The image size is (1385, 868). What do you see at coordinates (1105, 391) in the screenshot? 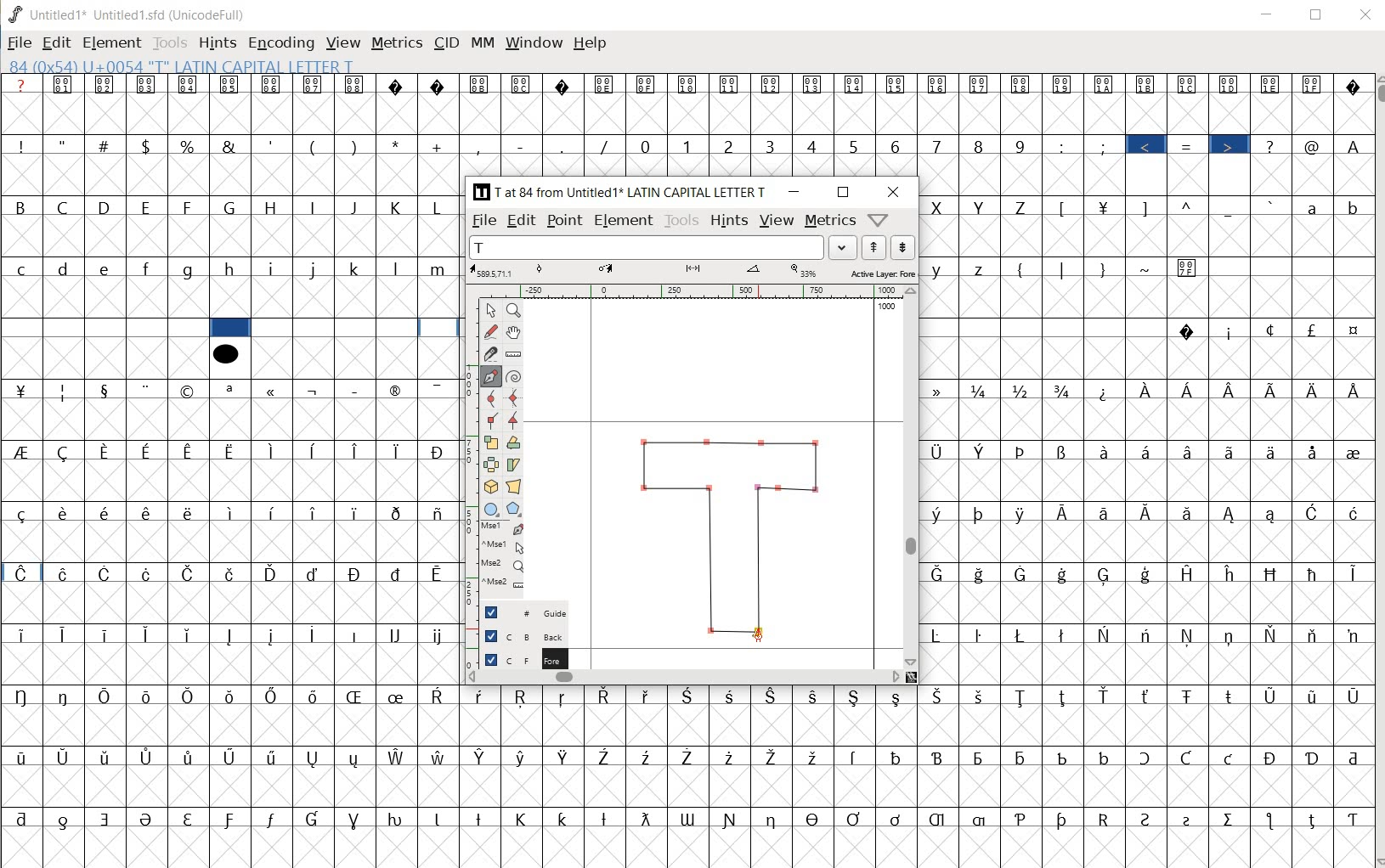
I see `Symbol` at bounding box center [1105, 391].